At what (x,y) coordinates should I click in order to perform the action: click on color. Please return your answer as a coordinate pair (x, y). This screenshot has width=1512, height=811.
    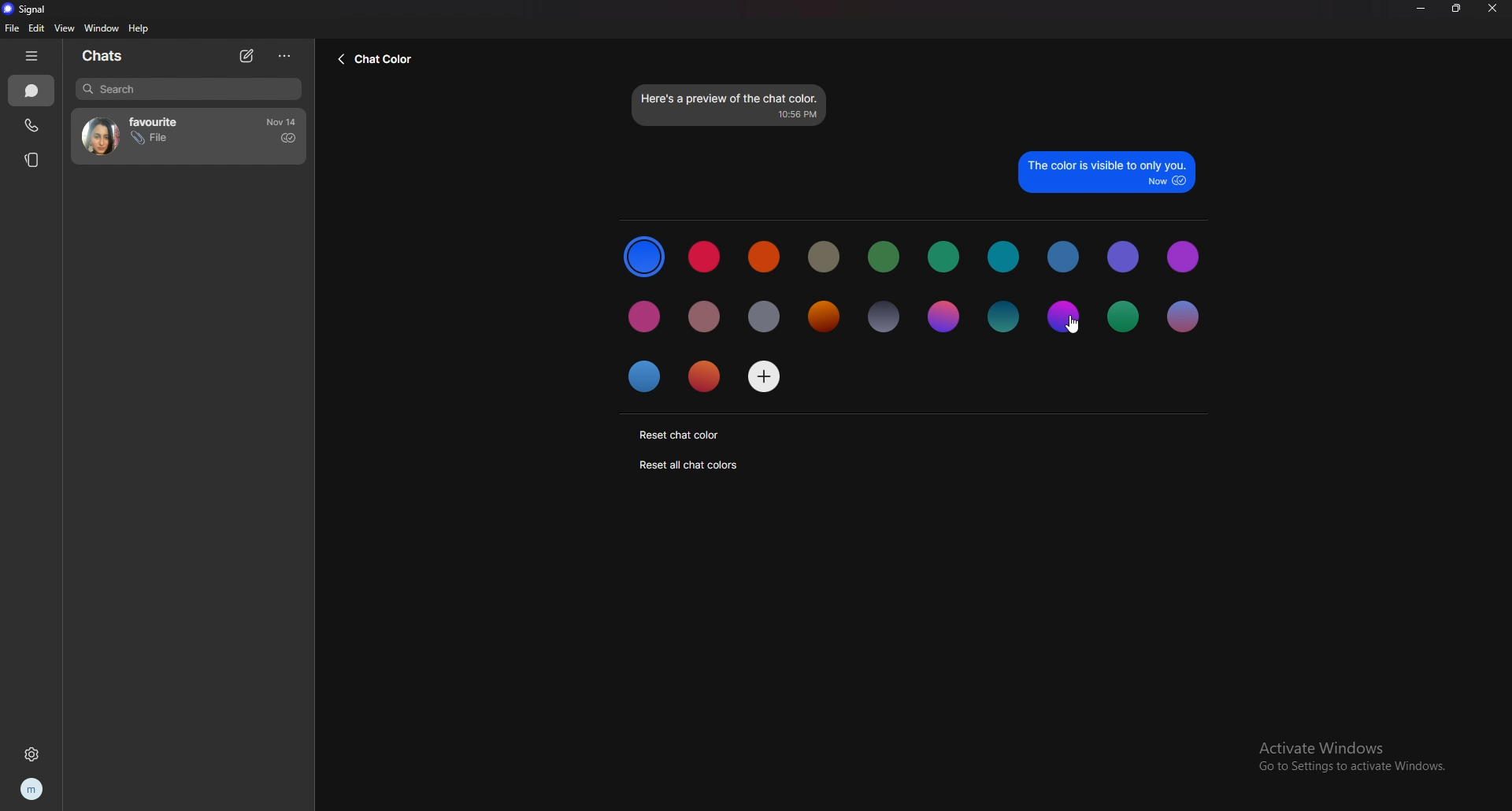
    Looking at the image, I should click on (1181, 317).